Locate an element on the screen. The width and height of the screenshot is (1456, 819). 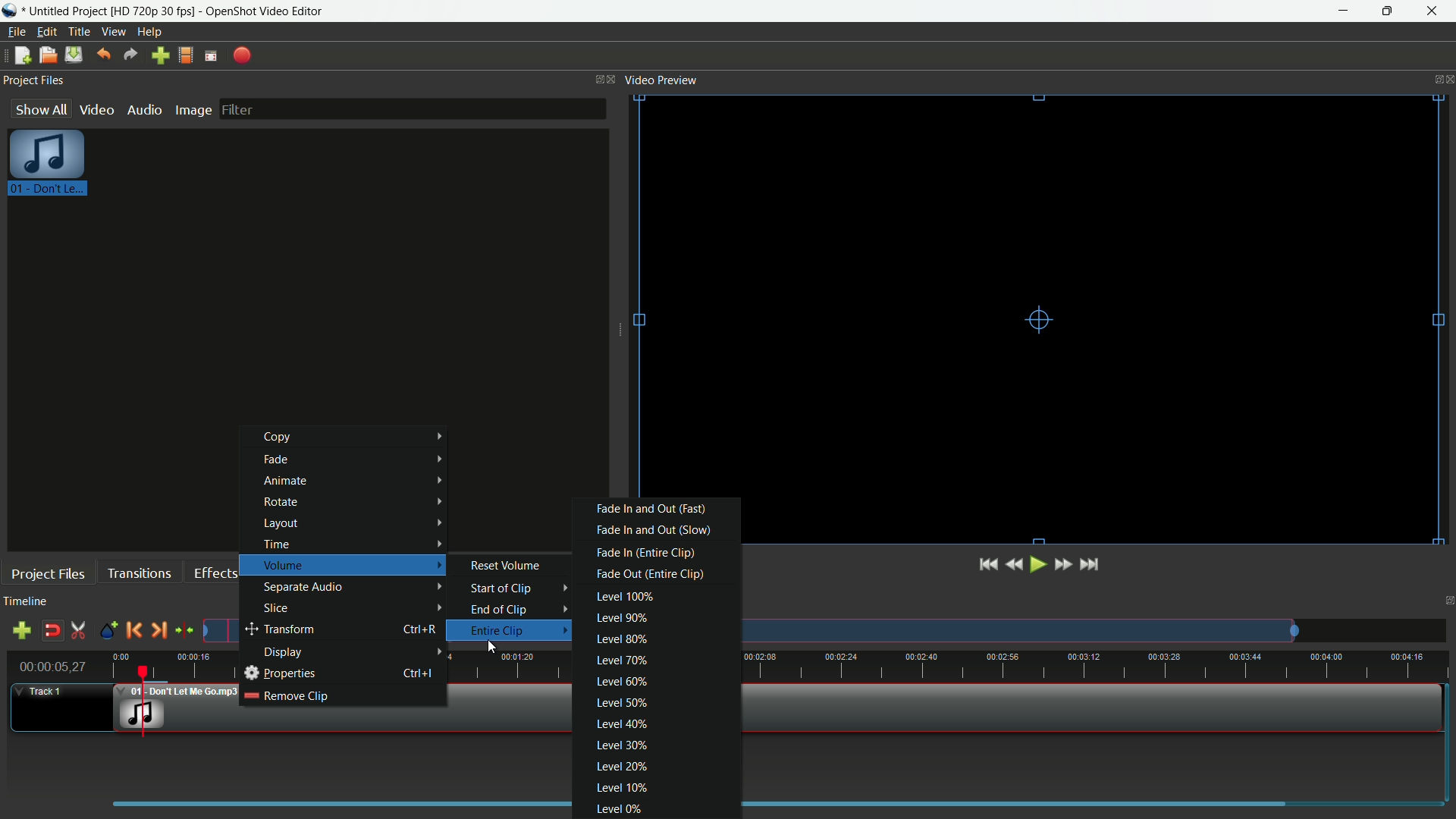
project files is located at coordinates (47, 573).